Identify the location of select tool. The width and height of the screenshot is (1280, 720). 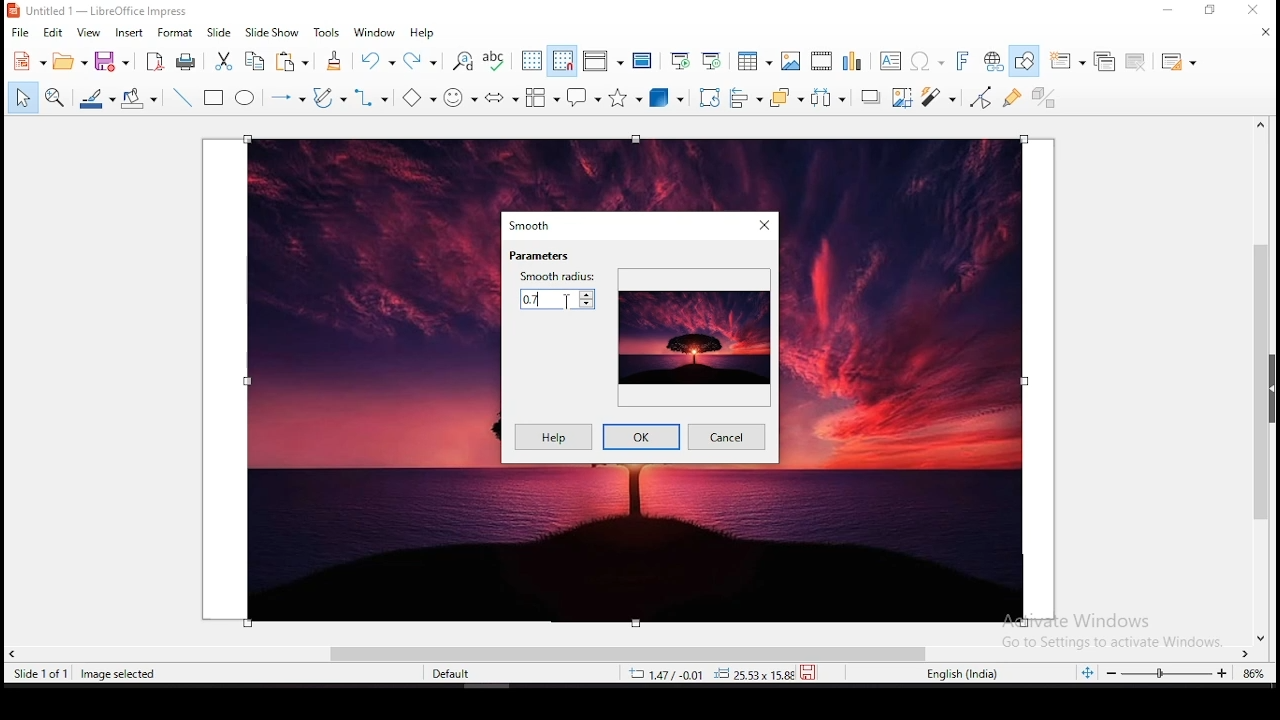
(20, 99).